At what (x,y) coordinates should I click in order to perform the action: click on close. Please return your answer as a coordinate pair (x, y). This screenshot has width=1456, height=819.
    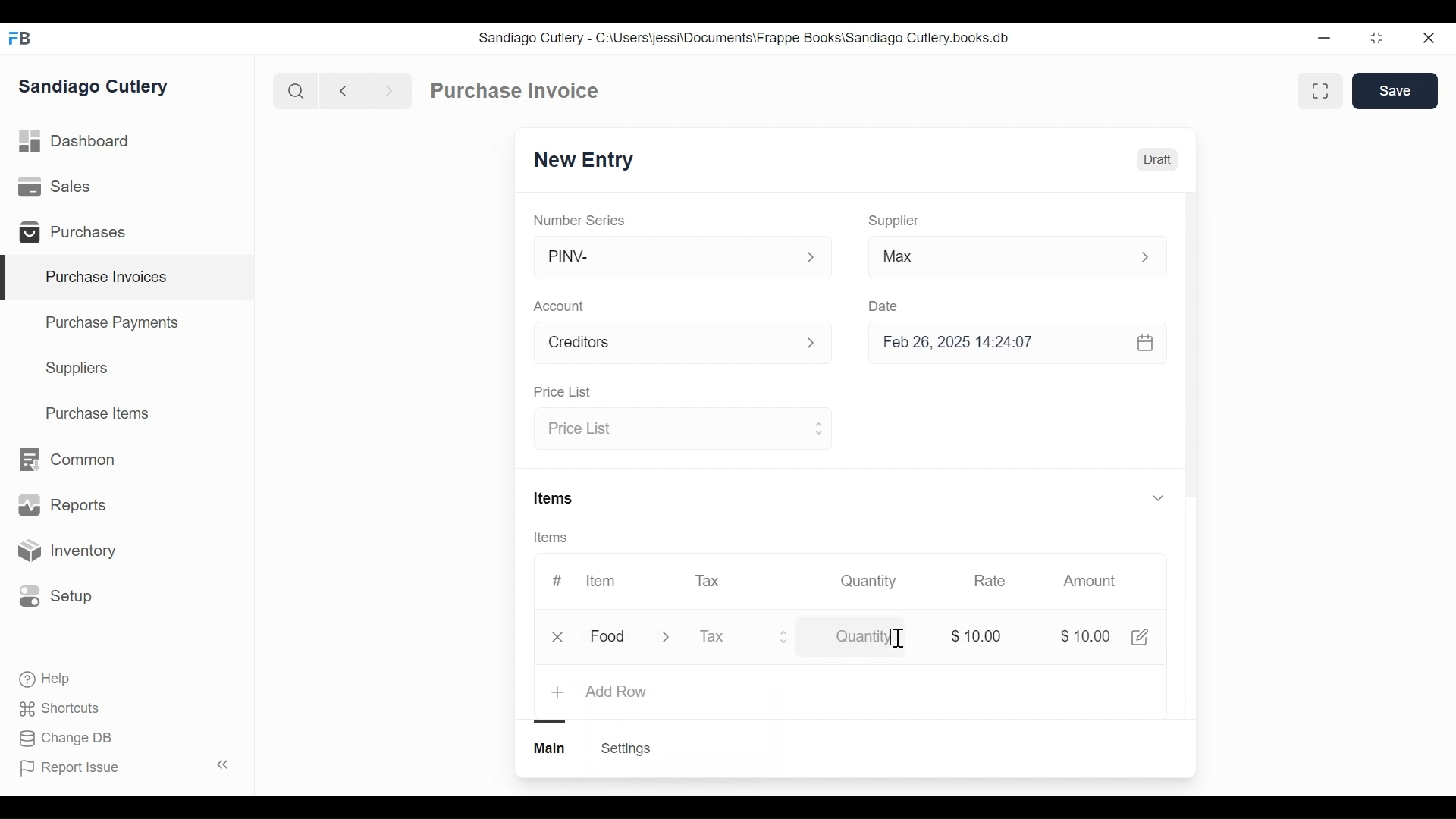
    Looking at the image, I should click on (561, 637).